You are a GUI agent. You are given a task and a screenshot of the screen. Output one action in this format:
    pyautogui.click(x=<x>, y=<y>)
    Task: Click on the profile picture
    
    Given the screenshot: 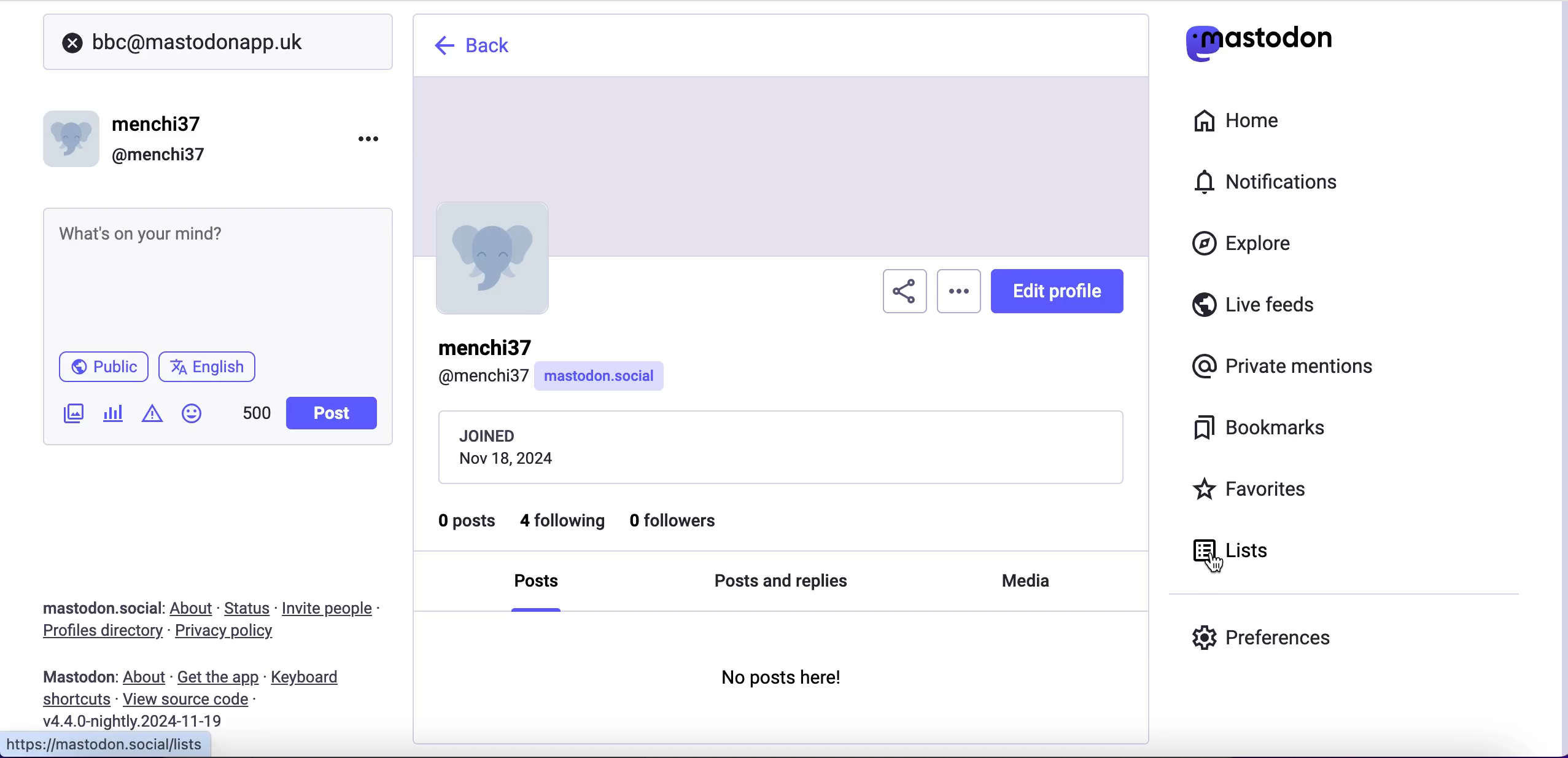 What is the action you would take?
    pyautogui.click(x=496, y=257)
    